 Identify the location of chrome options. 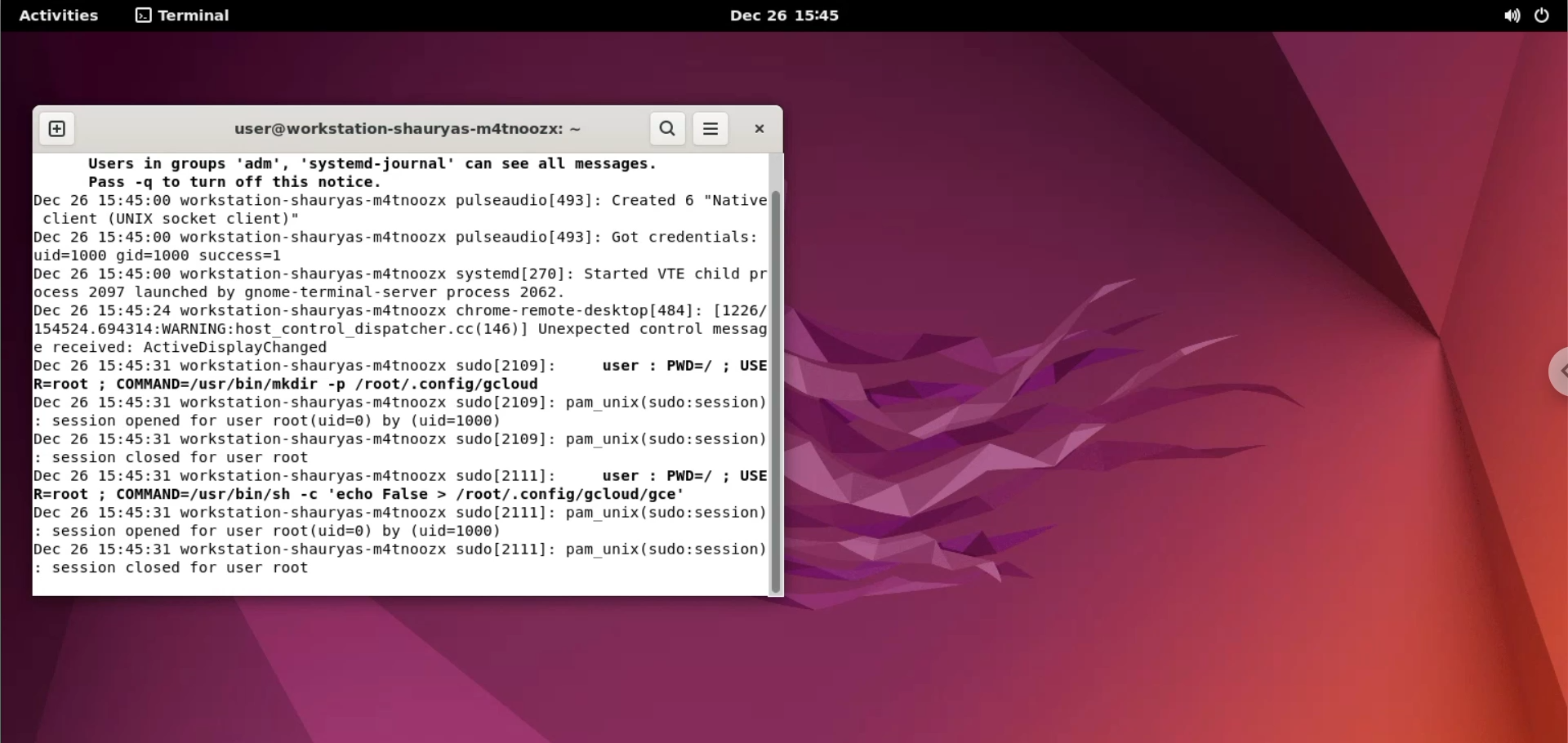
(1554, 371).